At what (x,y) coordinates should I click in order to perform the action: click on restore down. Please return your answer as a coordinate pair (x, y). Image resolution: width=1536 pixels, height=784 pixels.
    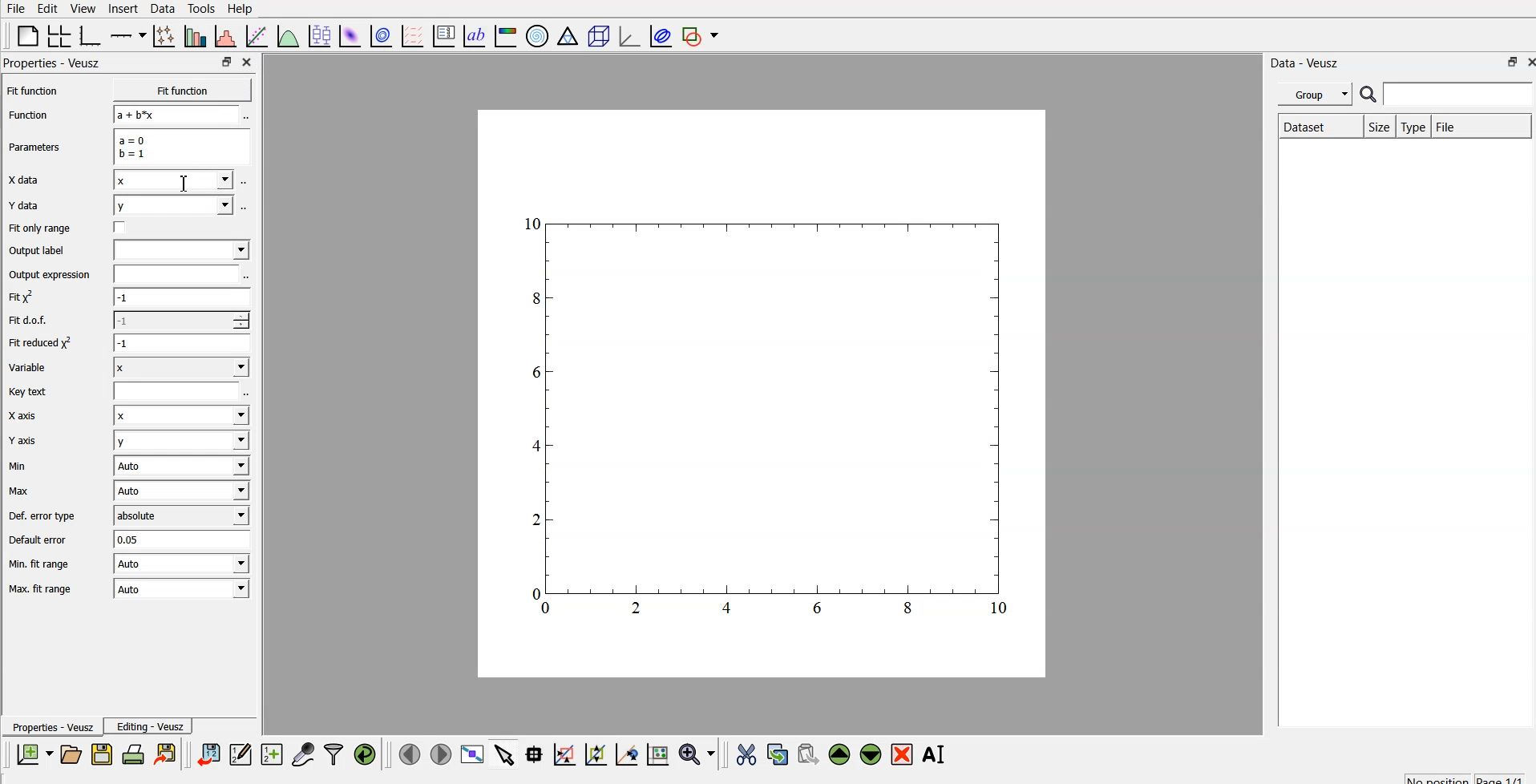
    Looking at the image, I should click on (1506, 65).